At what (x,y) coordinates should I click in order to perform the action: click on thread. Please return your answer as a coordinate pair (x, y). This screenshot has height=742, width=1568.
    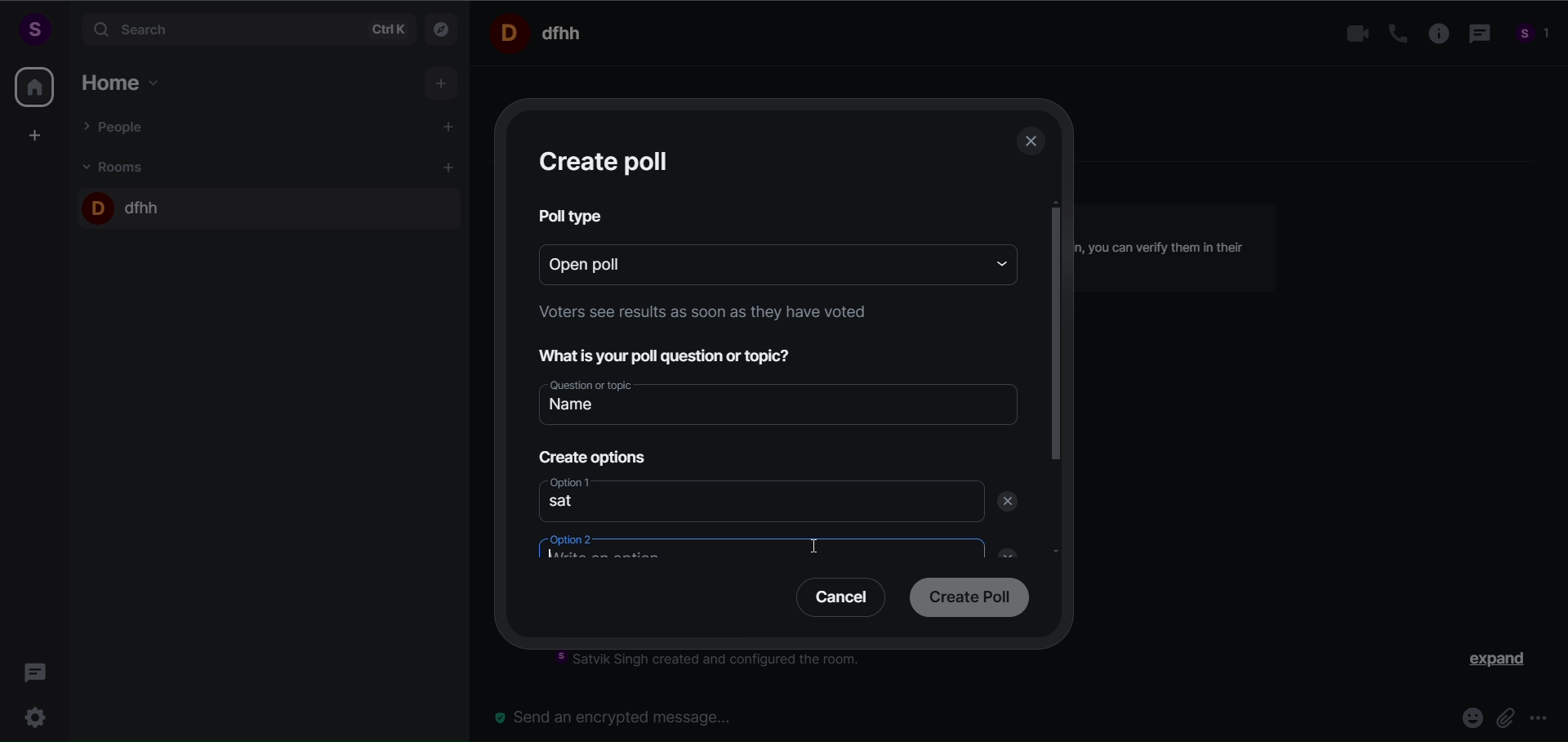
    Looking at the image, I should click on (1477, 35).